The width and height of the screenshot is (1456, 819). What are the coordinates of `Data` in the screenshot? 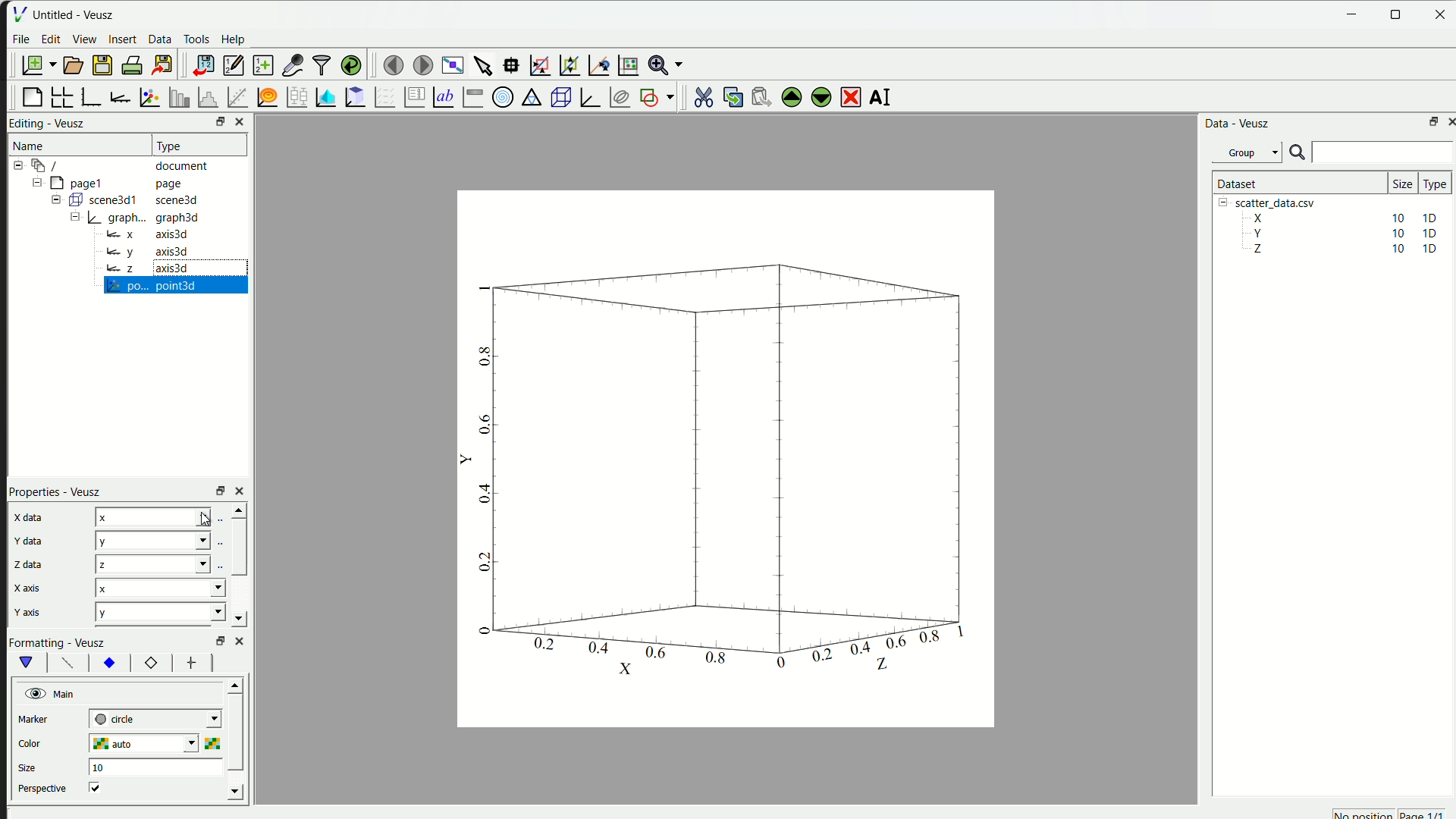 It's located at (158, 40).